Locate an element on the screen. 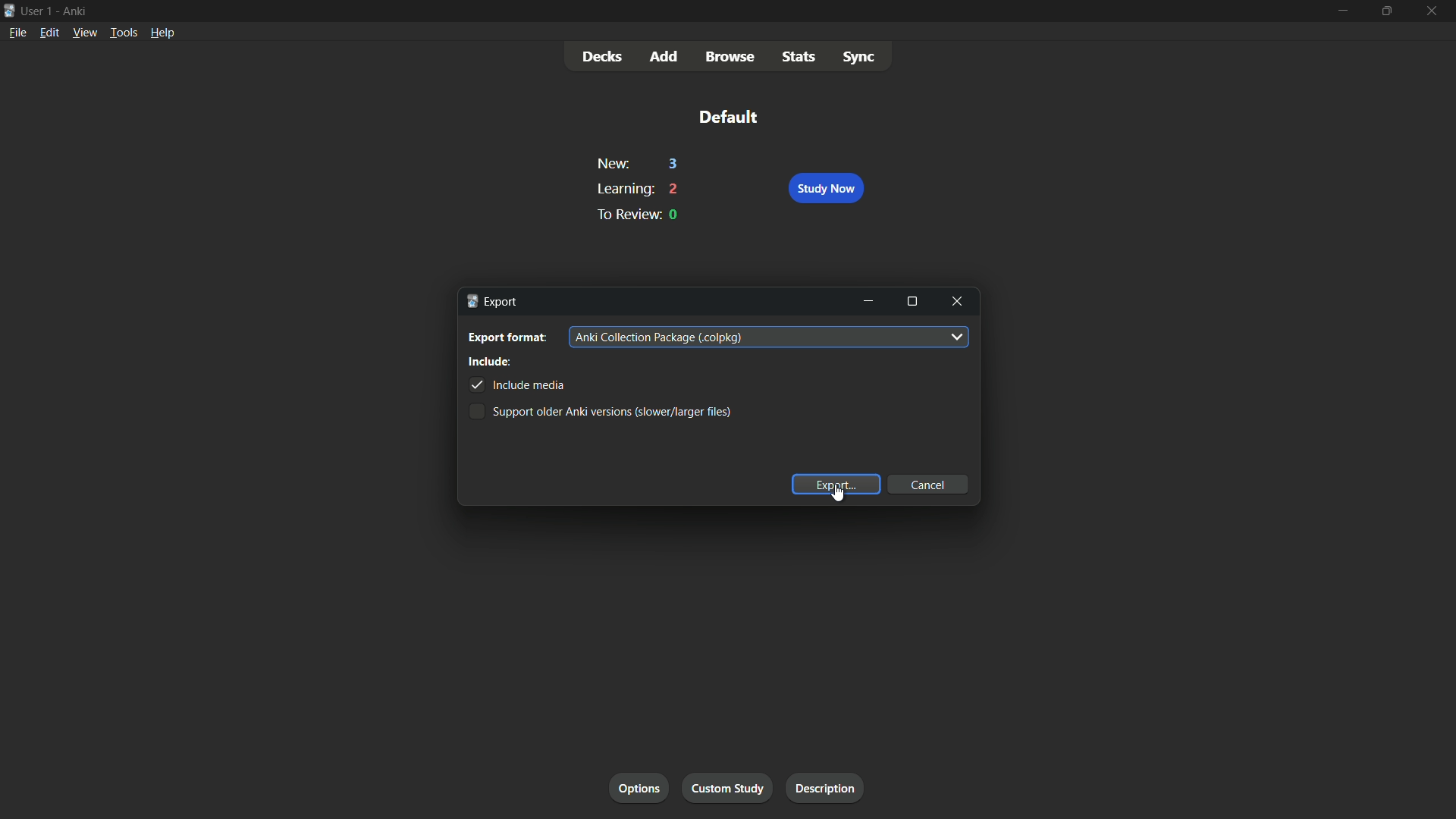 This screenshot has width=1456, height=819. user 1 is located at coordinates (39, 11).